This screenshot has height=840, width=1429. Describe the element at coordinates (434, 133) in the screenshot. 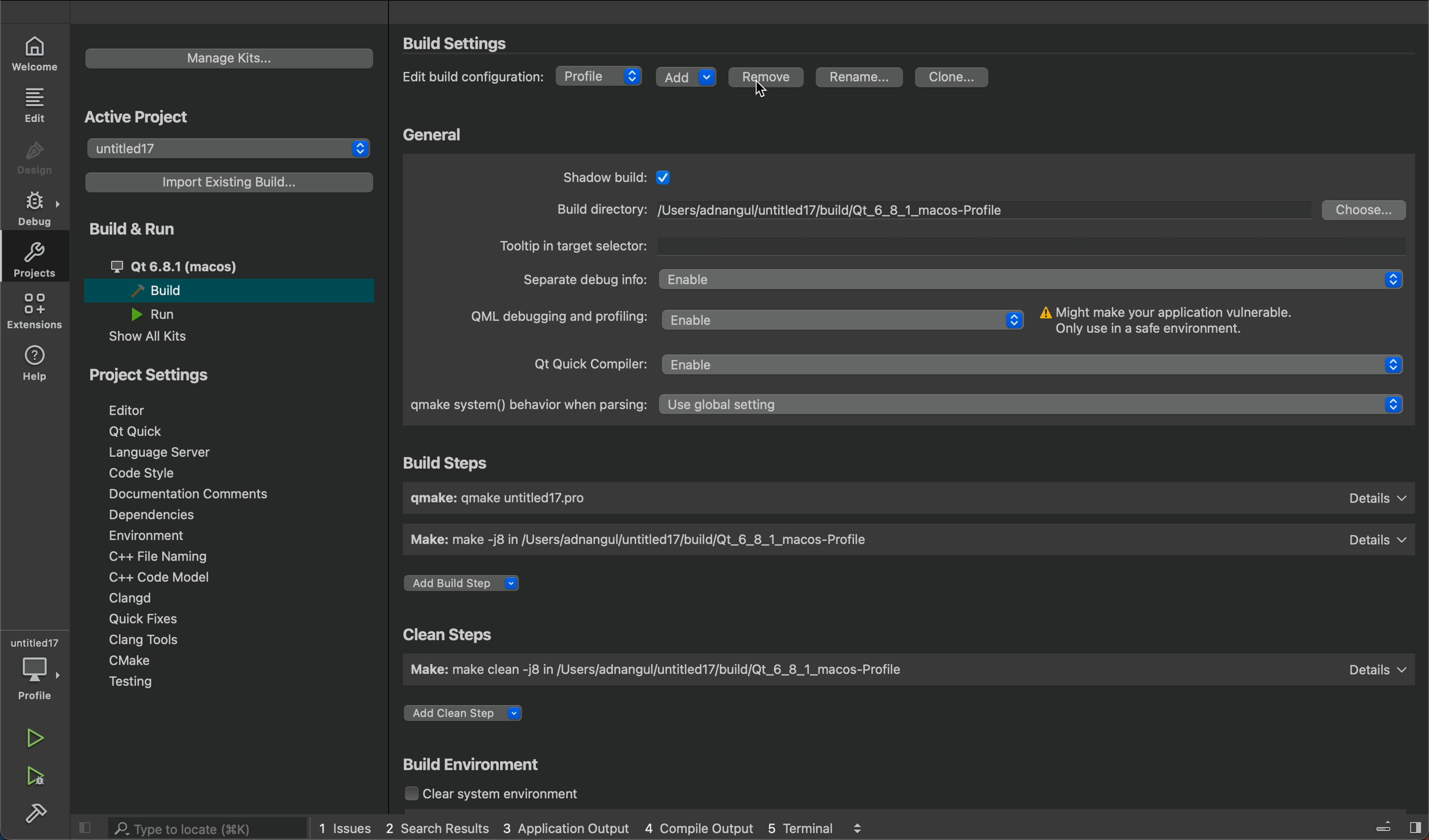

I see `general` at that location.